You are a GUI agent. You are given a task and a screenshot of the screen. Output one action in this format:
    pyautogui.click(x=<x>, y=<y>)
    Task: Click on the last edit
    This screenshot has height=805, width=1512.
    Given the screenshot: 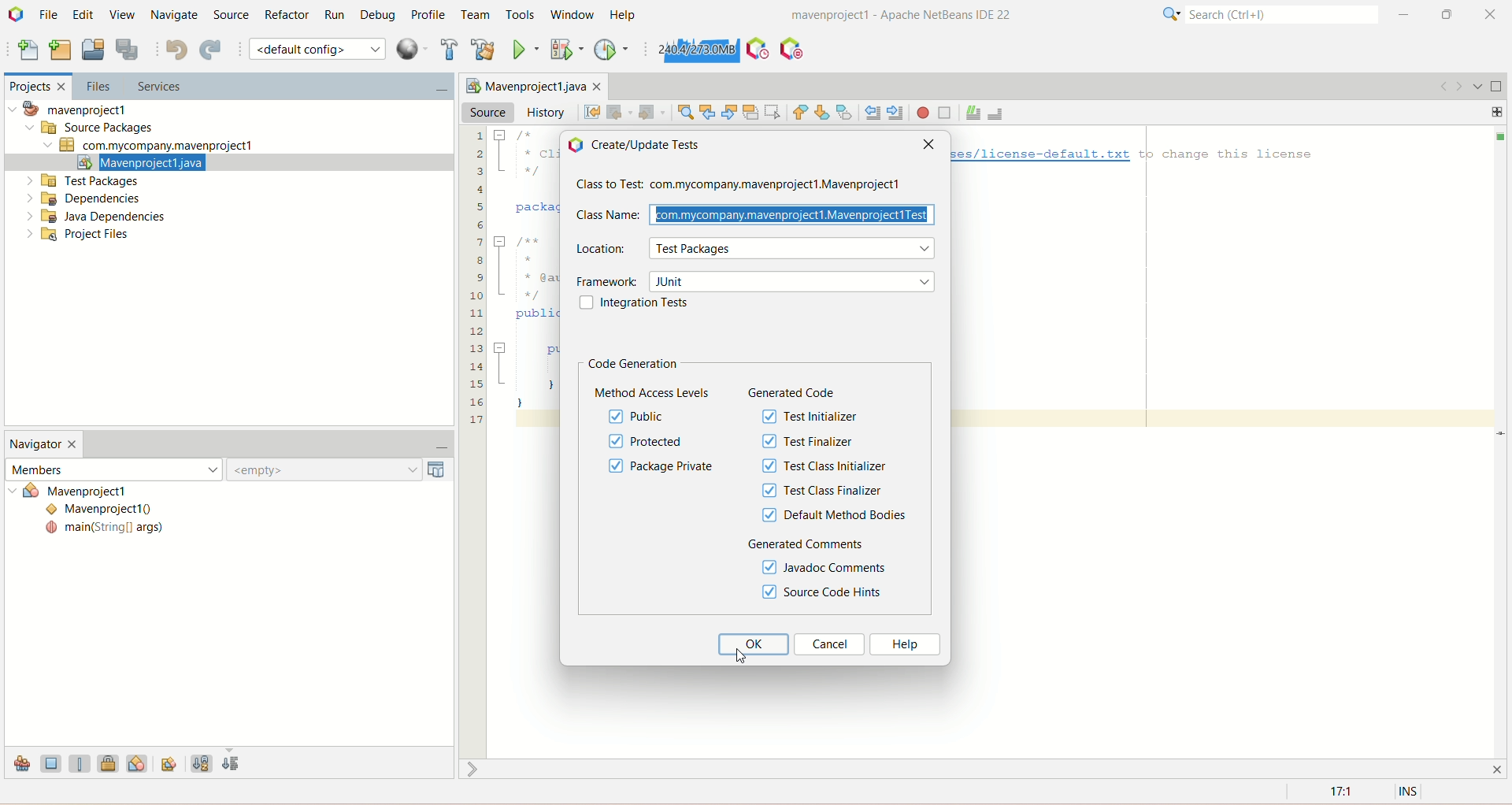 What is the action you would take?
    pyautogui.click(x=593, y=113)
    